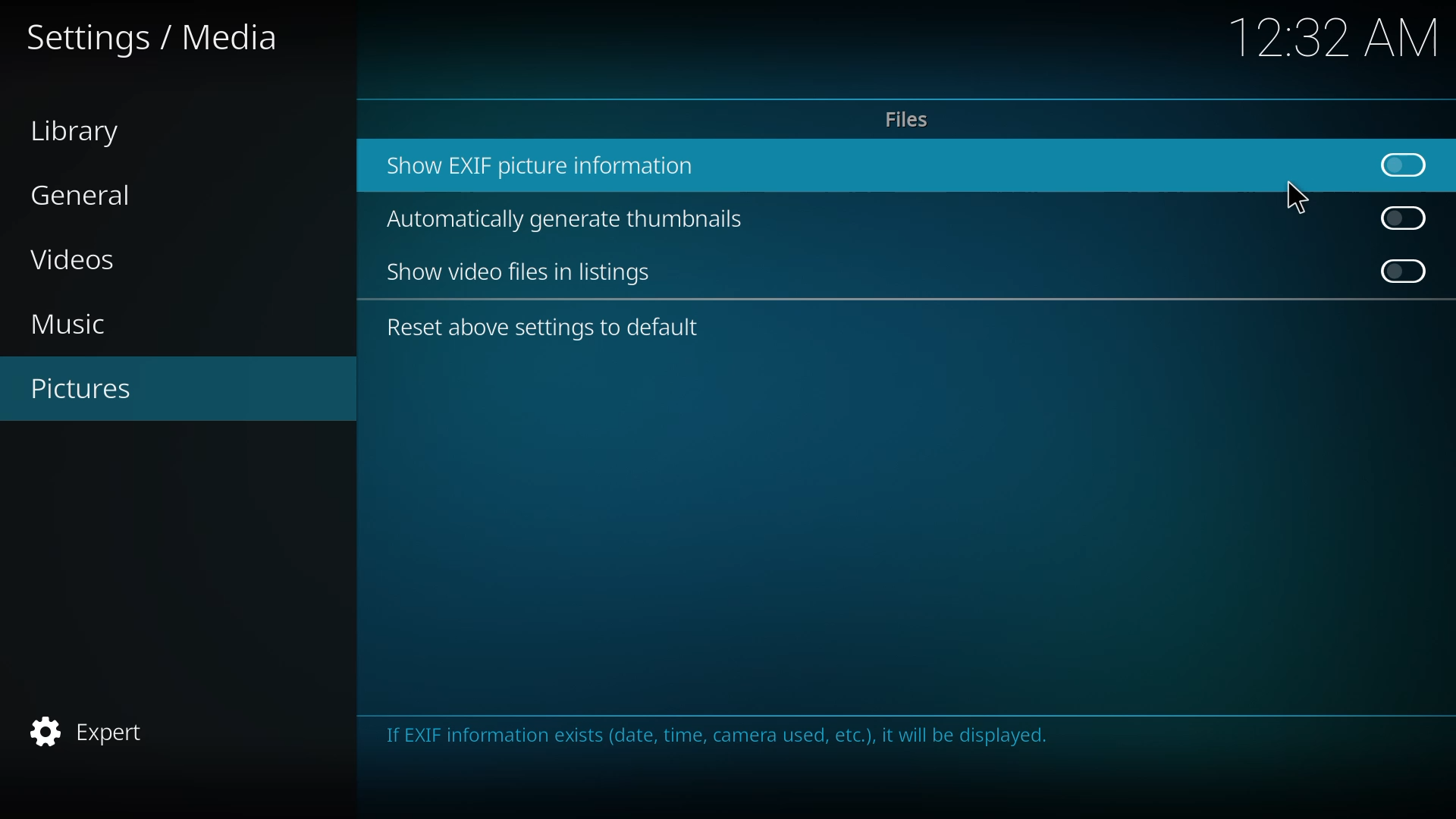 This screenshot has width=1456, height=819. What do you see at coordinates (83, 193) in the screenshot?
I see `general` at bounding box center [83, 193].